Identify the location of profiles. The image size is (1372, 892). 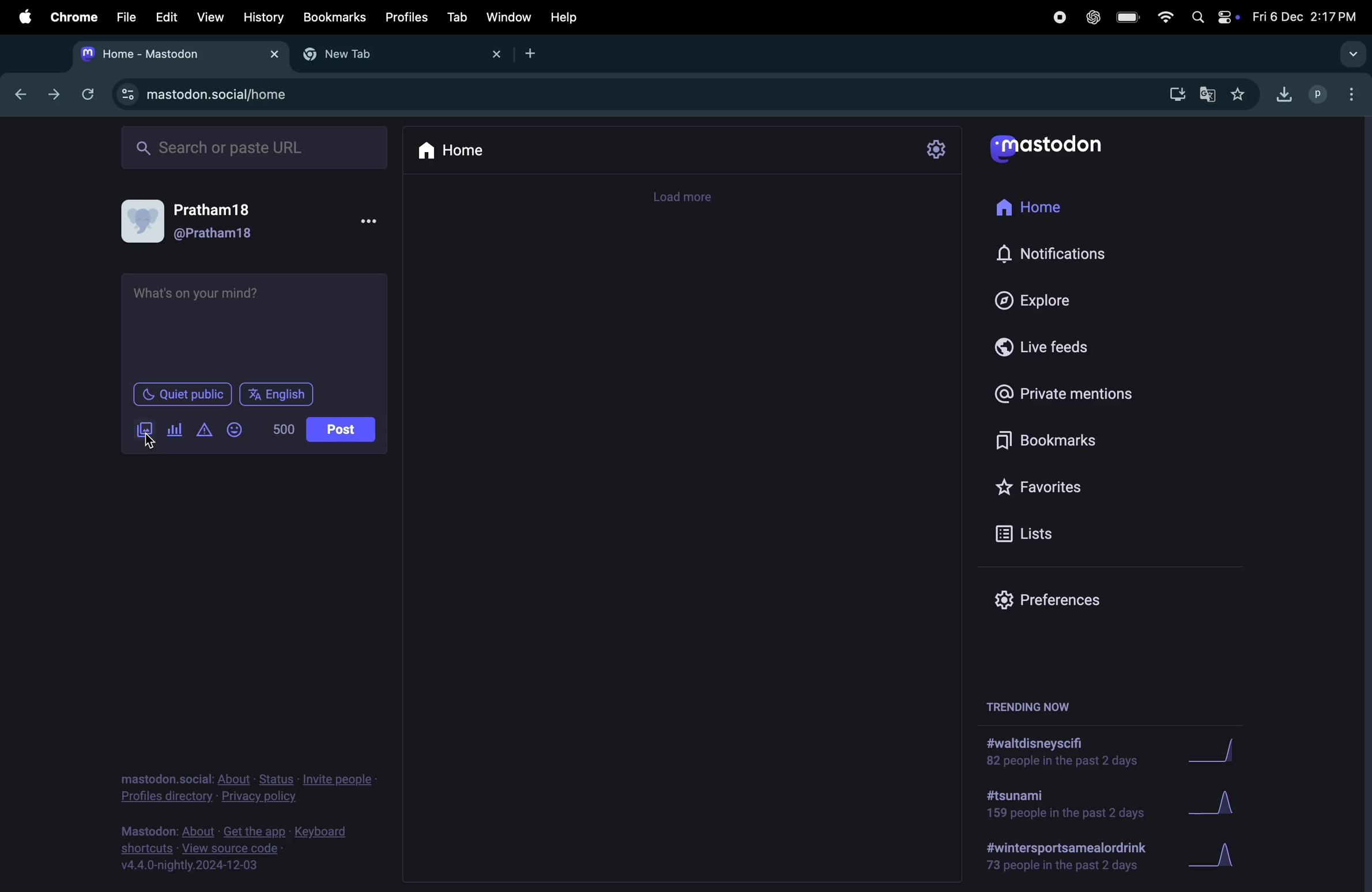
(406, 17).